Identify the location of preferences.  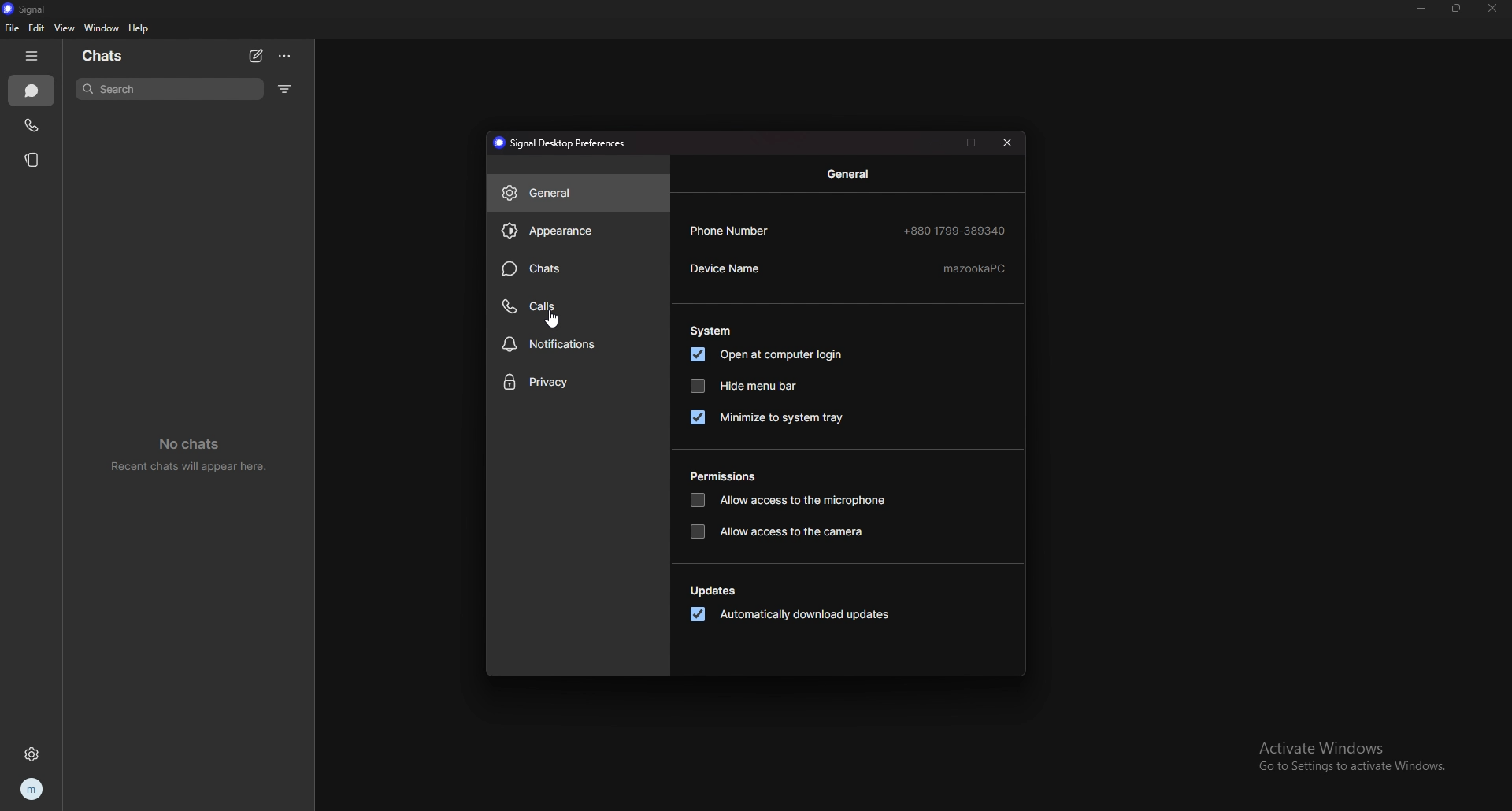
(558, 143).